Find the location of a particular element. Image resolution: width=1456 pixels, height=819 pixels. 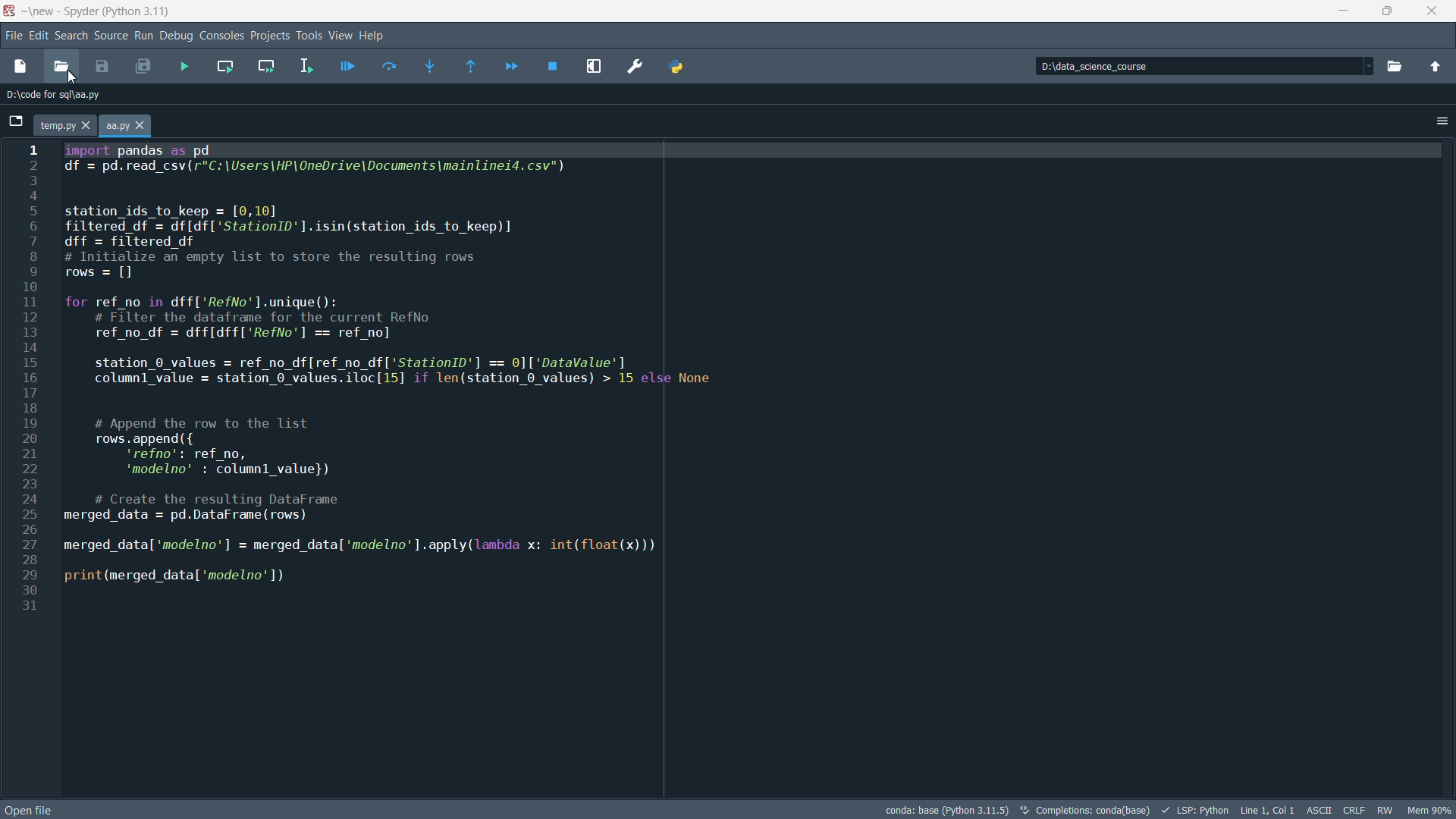

run current cell and go to the next one is located at coordinates (268, 67).